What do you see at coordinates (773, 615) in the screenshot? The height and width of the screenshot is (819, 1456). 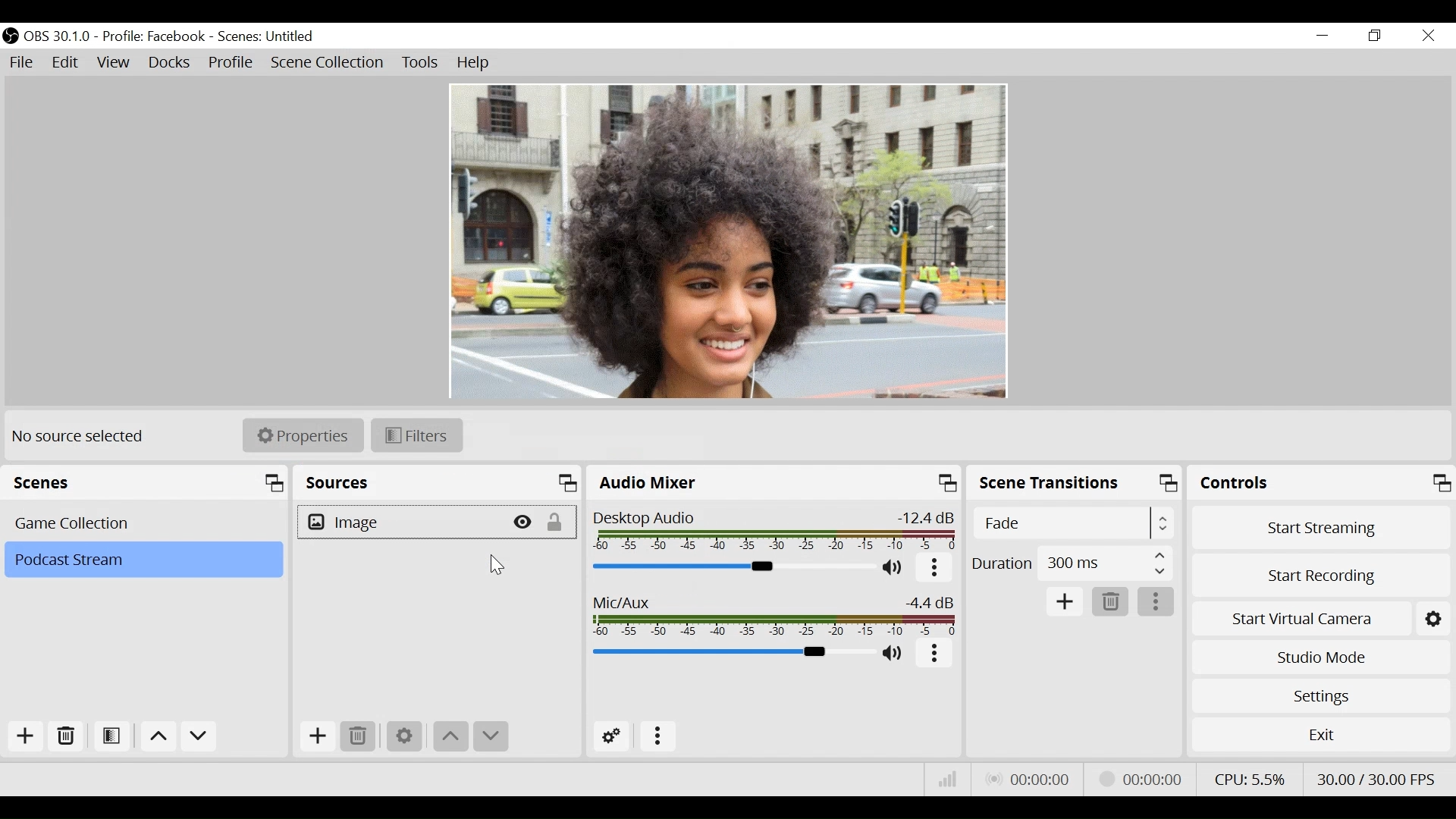 I see `Mic/Aux ` at bounding box center [773, 615].